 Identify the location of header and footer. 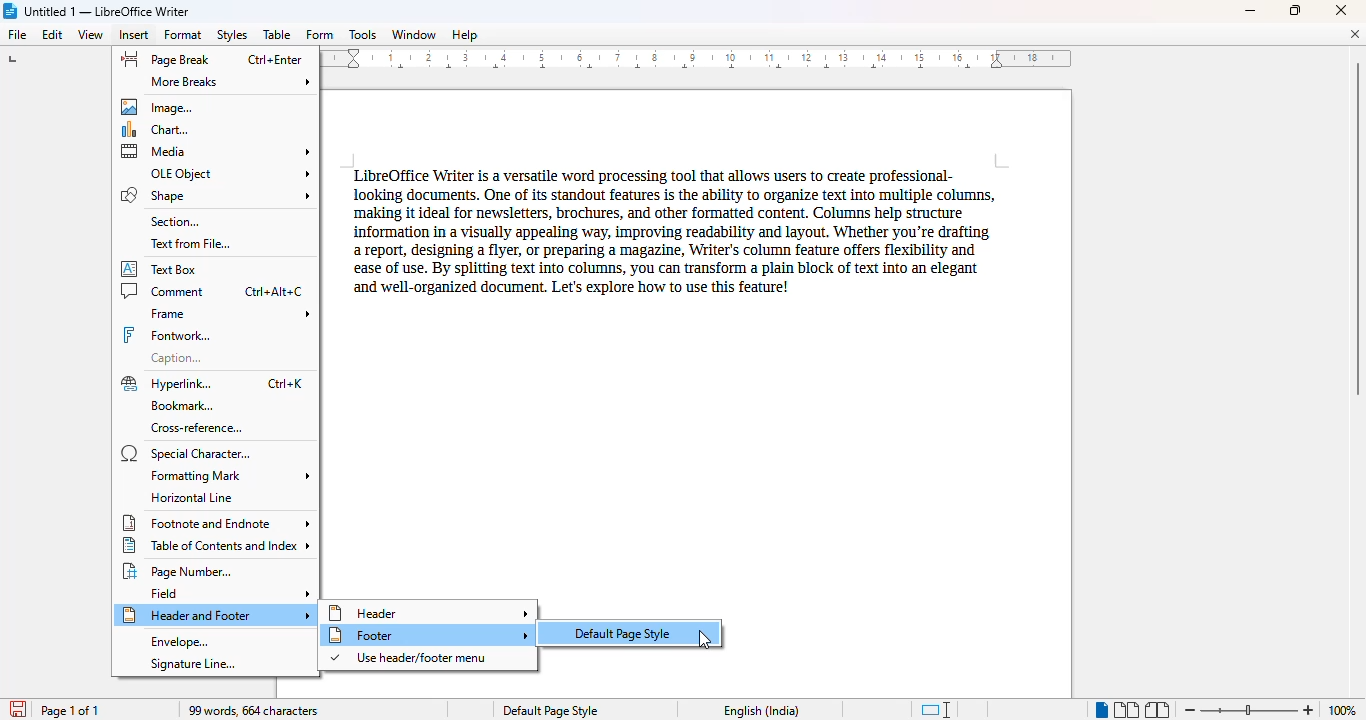
(216, 615).